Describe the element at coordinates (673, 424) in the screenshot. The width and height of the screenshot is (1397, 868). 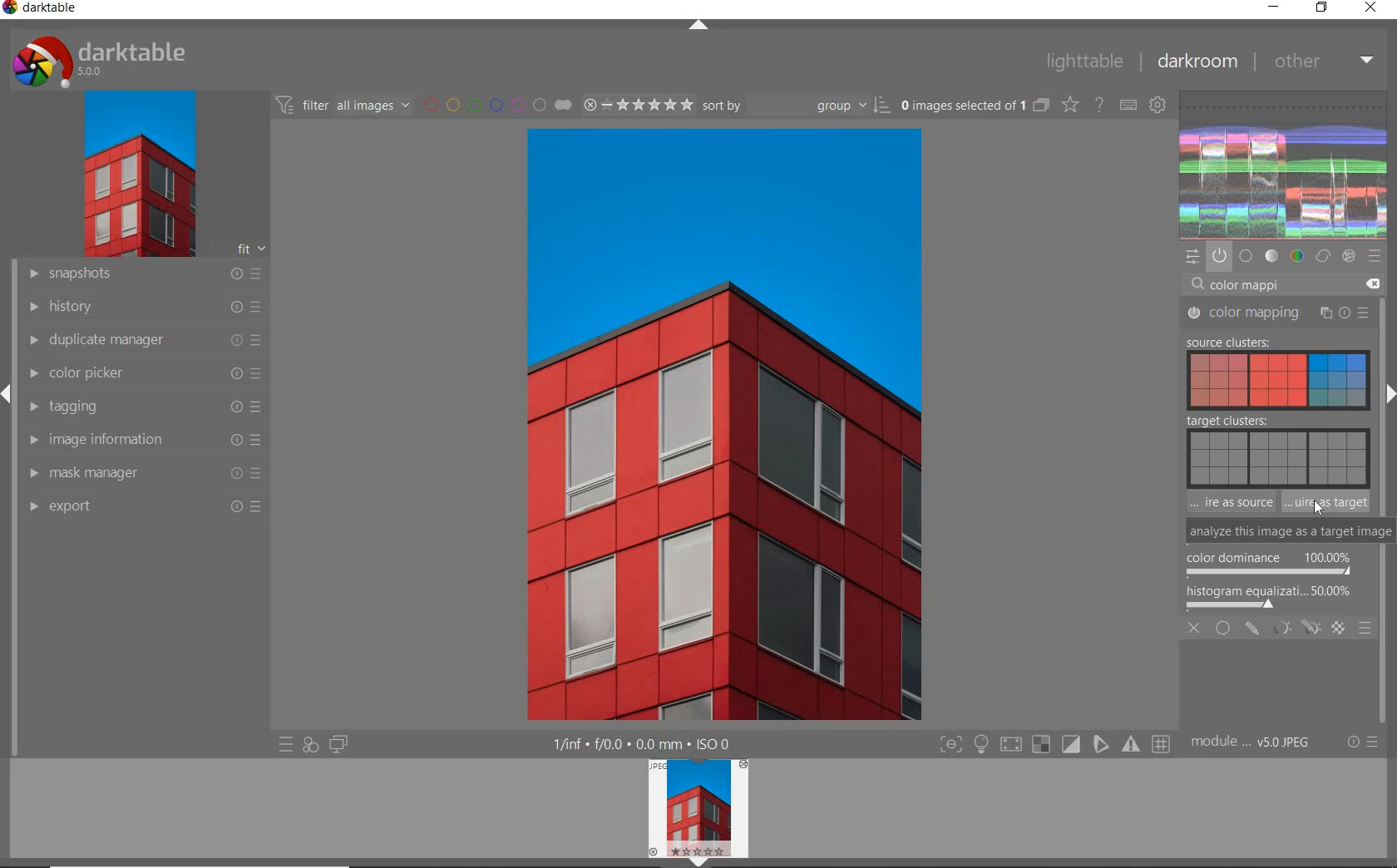
I see `selected image ` at that location.